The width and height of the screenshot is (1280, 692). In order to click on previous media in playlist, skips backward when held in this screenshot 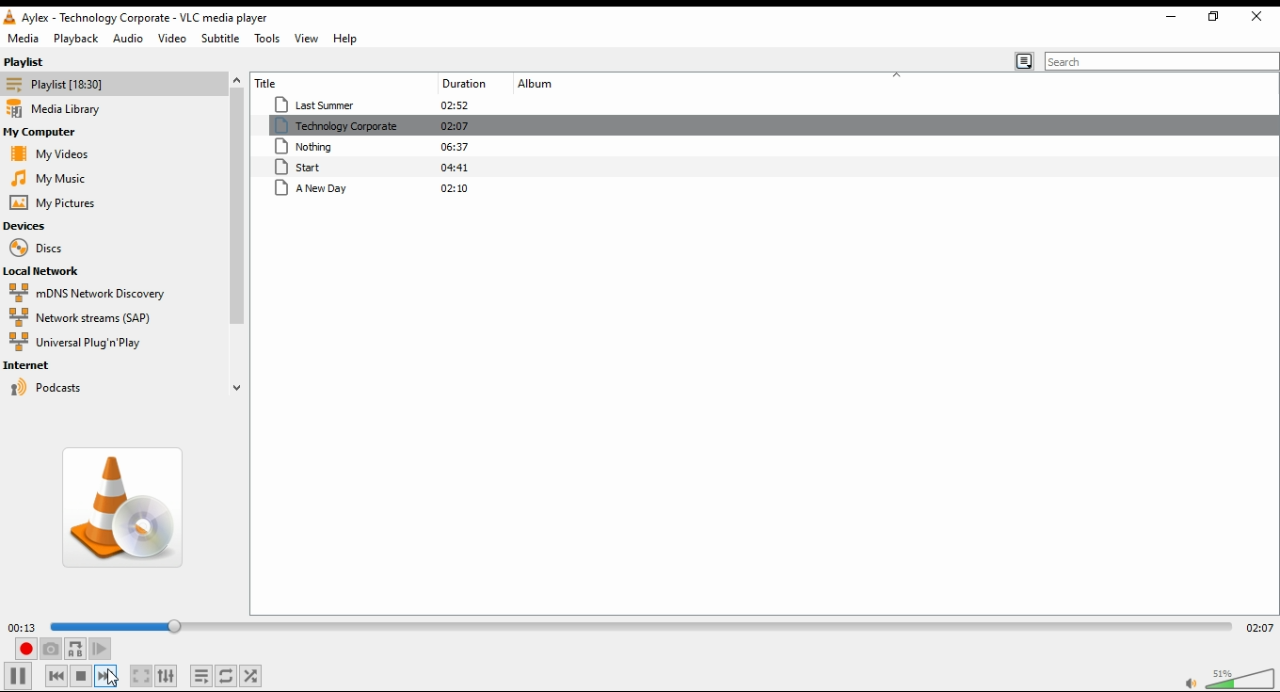, I will do `click(58, 676)`.